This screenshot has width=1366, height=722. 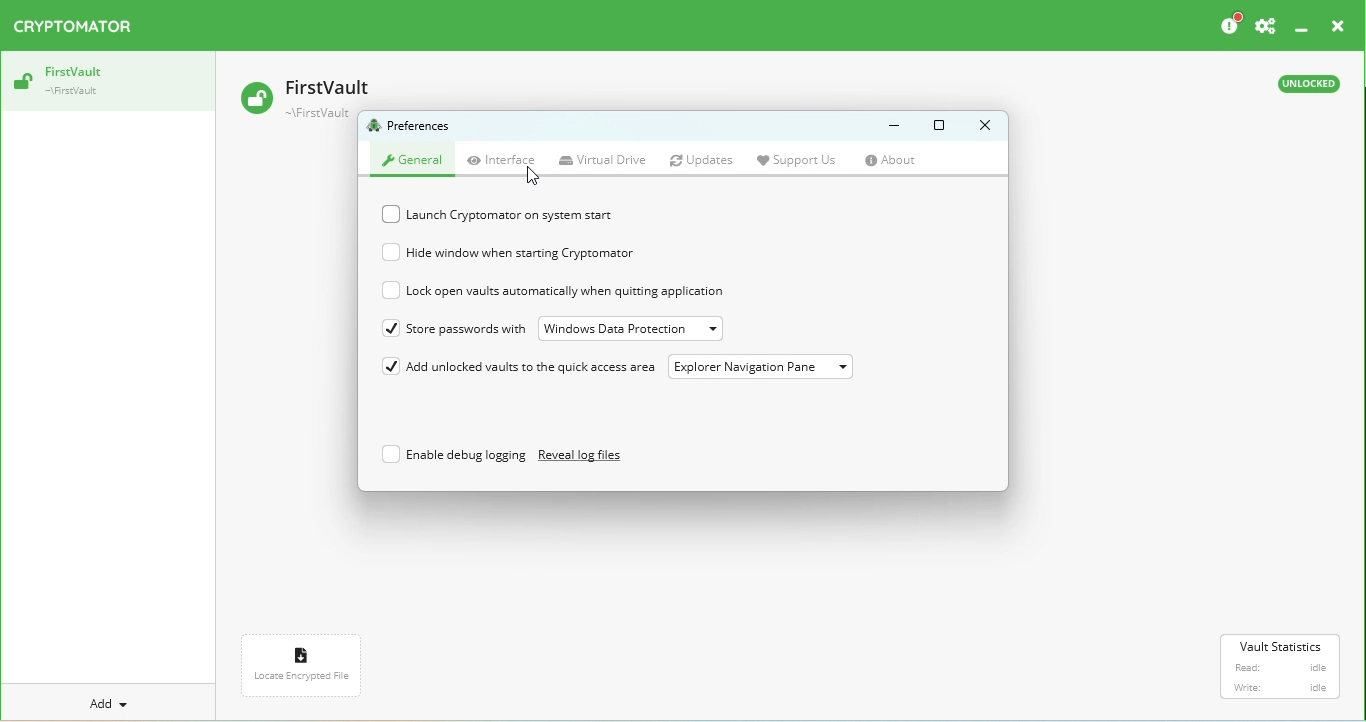 What do you see at coordinates (515, 368) in the screenshot?
I see `Add unlocked vaults to the quick access area` at bounding box center [515, 368].